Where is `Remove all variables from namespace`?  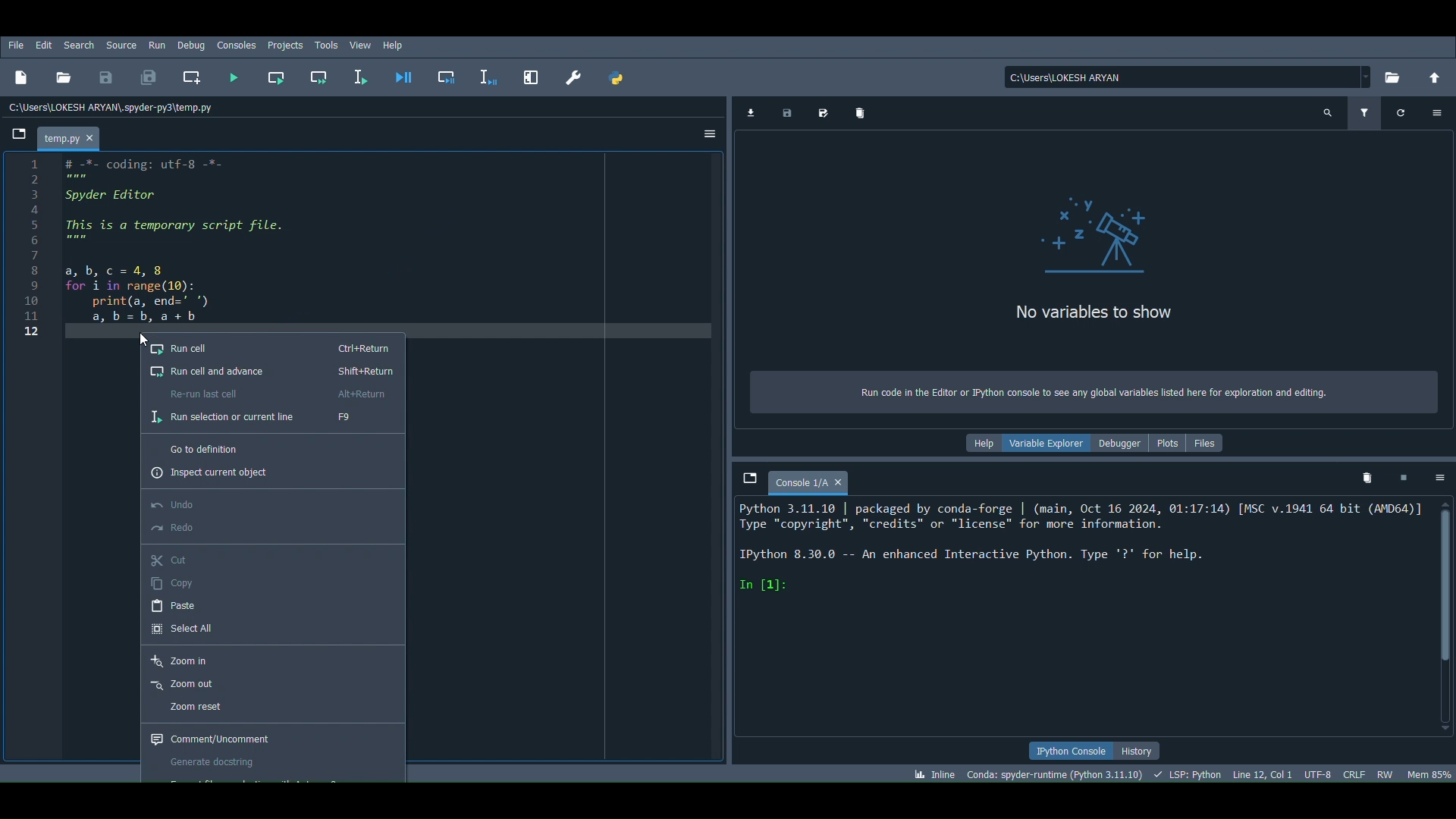 Remove all variables from namespace is located at coordinates (1363, 475).